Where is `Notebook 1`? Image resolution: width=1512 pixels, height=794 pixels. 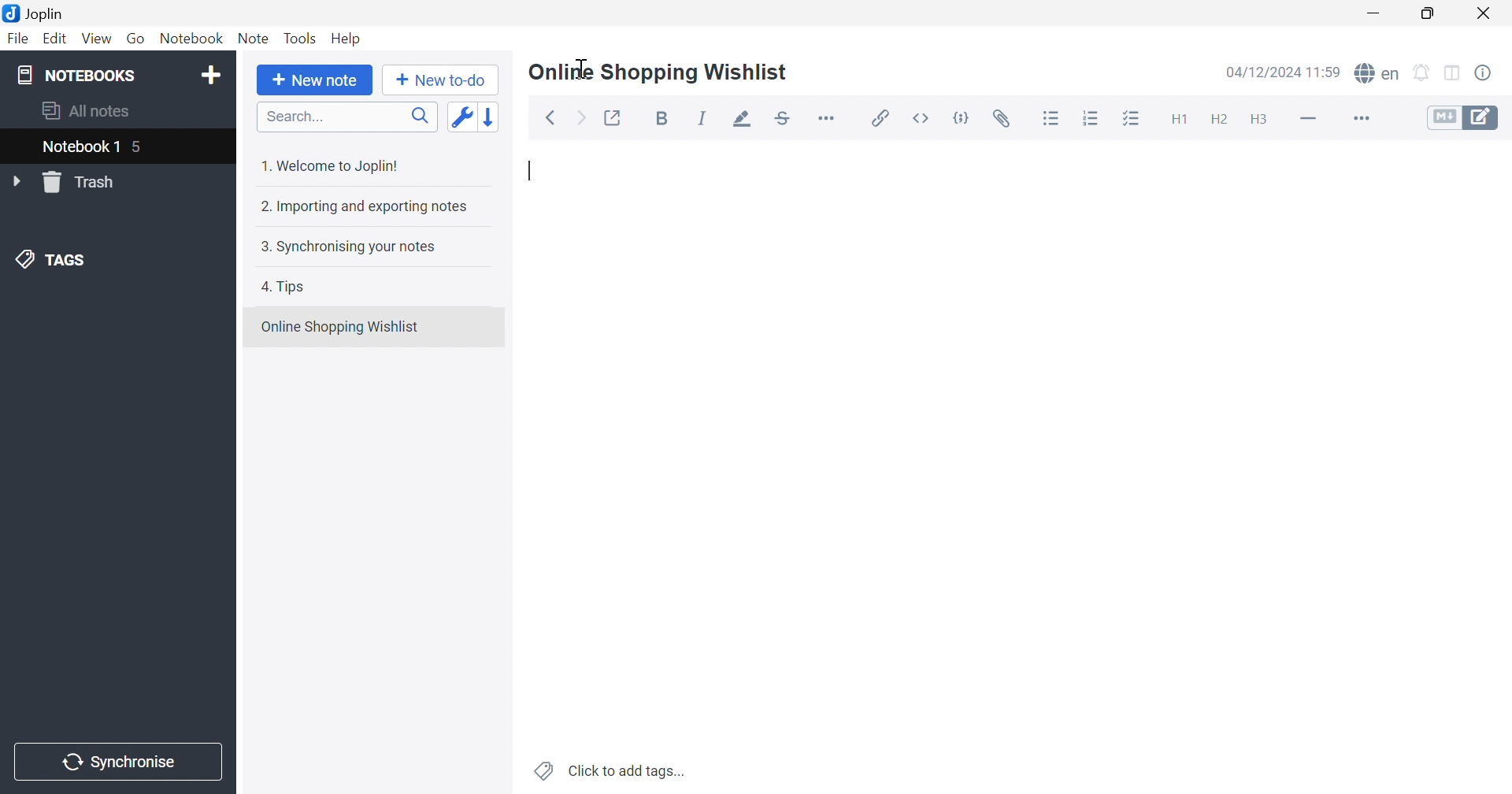 Notebook 1 is located at coordinates (96, 148).